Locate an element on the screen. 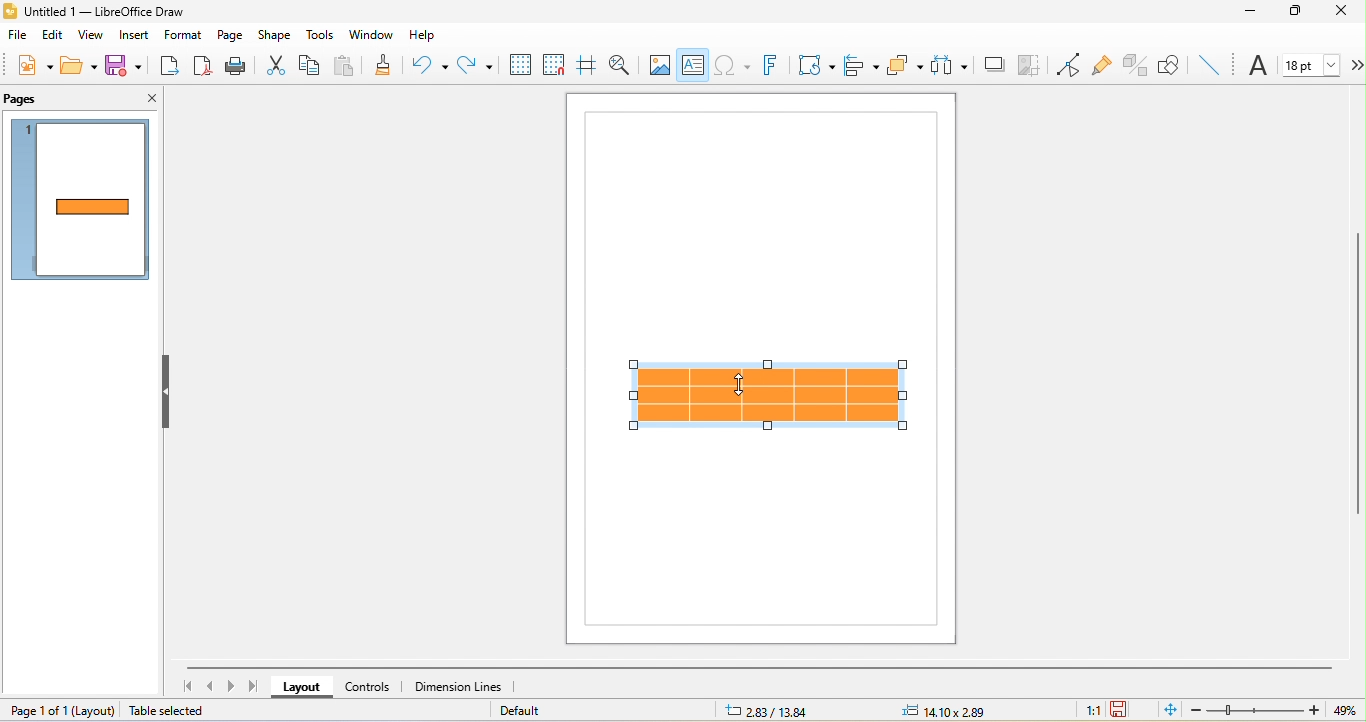  show draw function is located at coordinates (1171, 64).